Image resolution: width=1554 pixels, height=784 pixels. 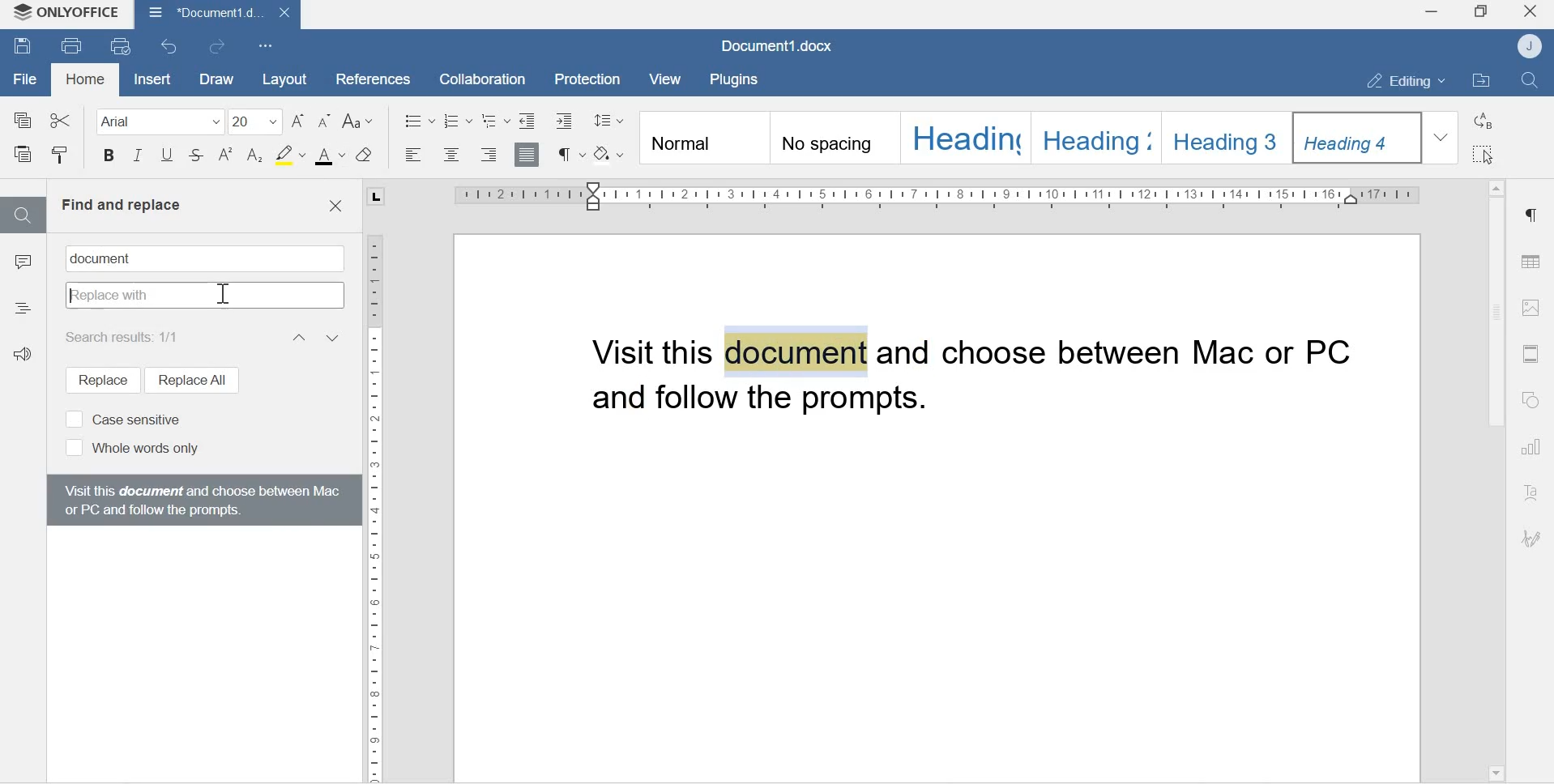 What do you see at coordinates (1127, 354) in the screenshot?
I see `and choose between MAC or PC` at bounding box center [1127, 354].